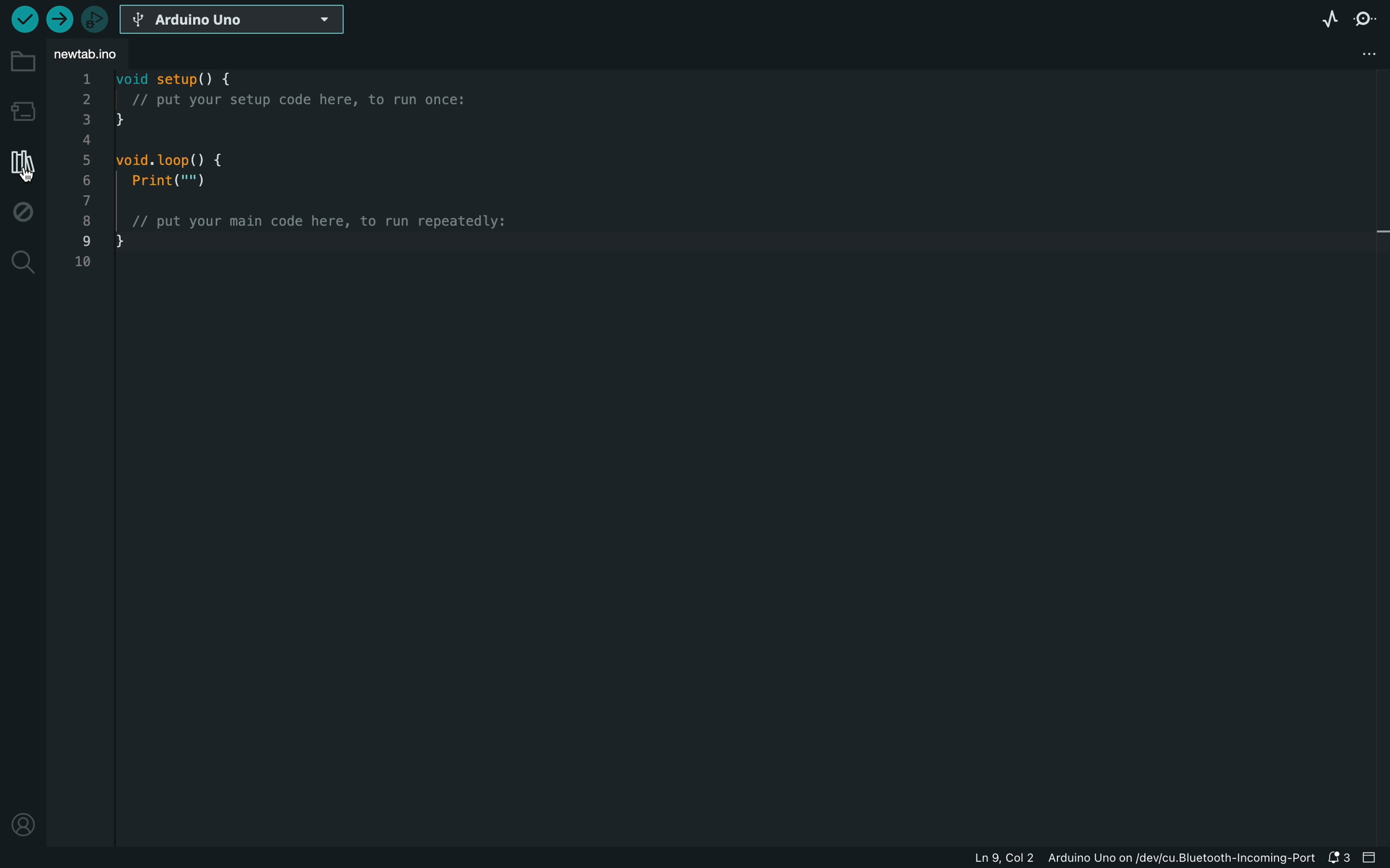 The height and width of the screenshot is (868, 1390). What do you see at coordinates (96, 17) in the screenshot?
I see `debugger` at bounding box center [96, 17].